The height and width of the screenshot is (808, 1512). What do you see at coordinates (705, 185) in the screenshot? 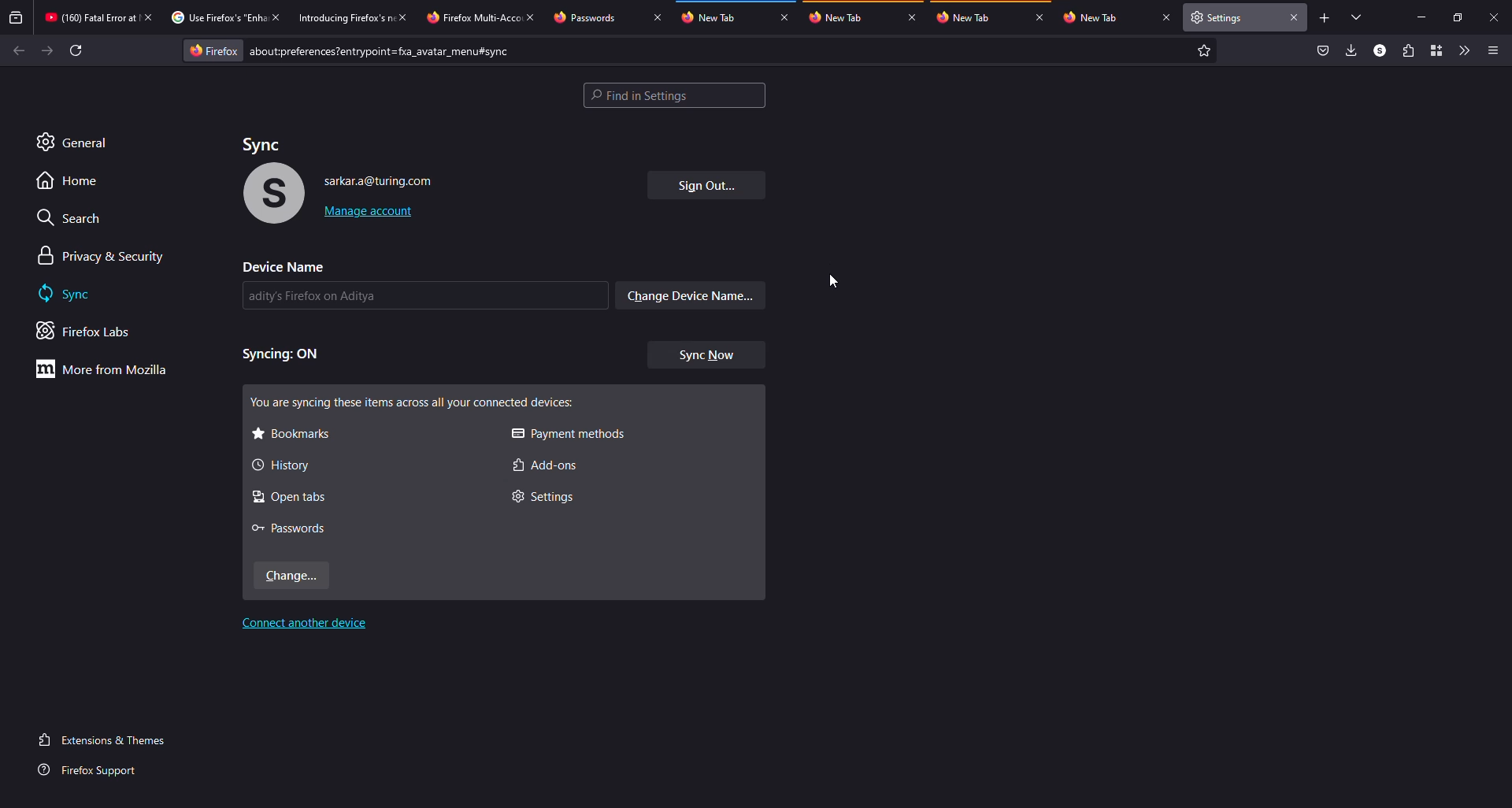
I see `sign out` at bounding box center [705, 185].